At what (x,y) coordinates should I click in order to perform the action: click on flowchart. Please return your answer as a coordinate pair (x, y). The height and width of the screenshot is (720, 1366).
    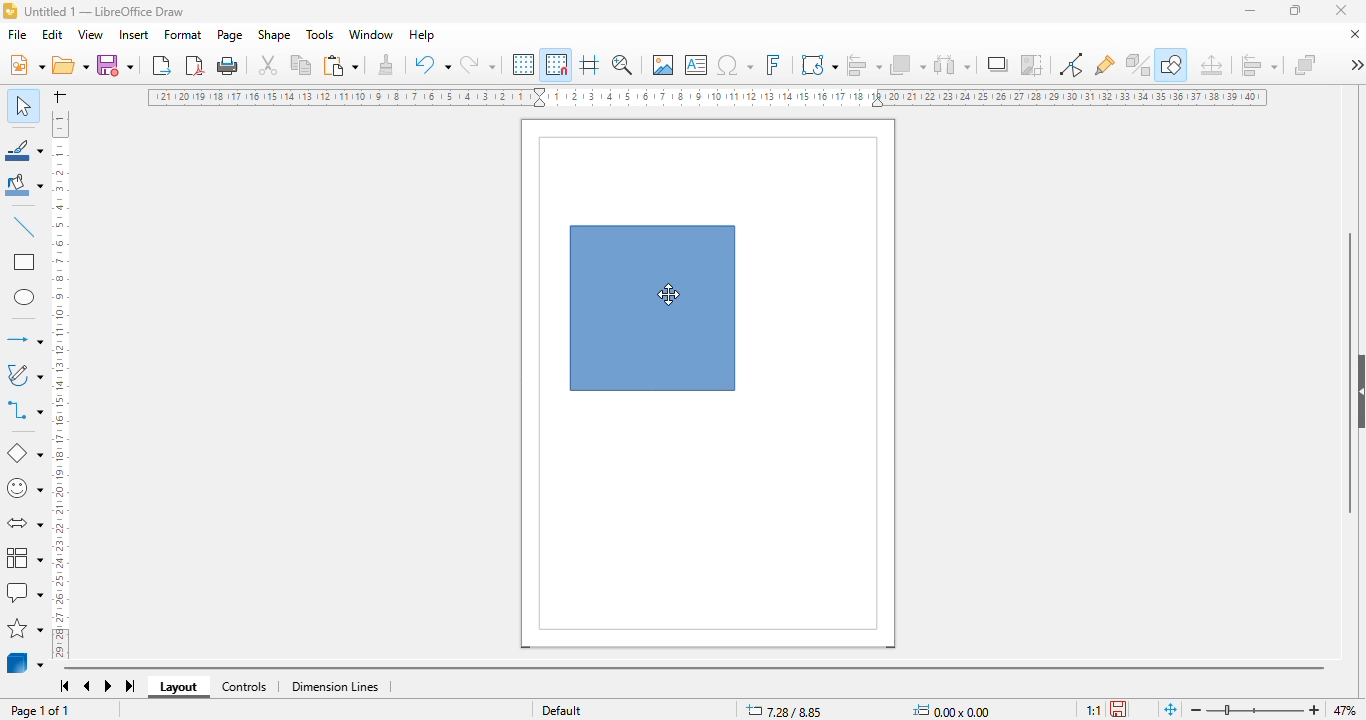
    Looking at the image, I should click on (25, 556).